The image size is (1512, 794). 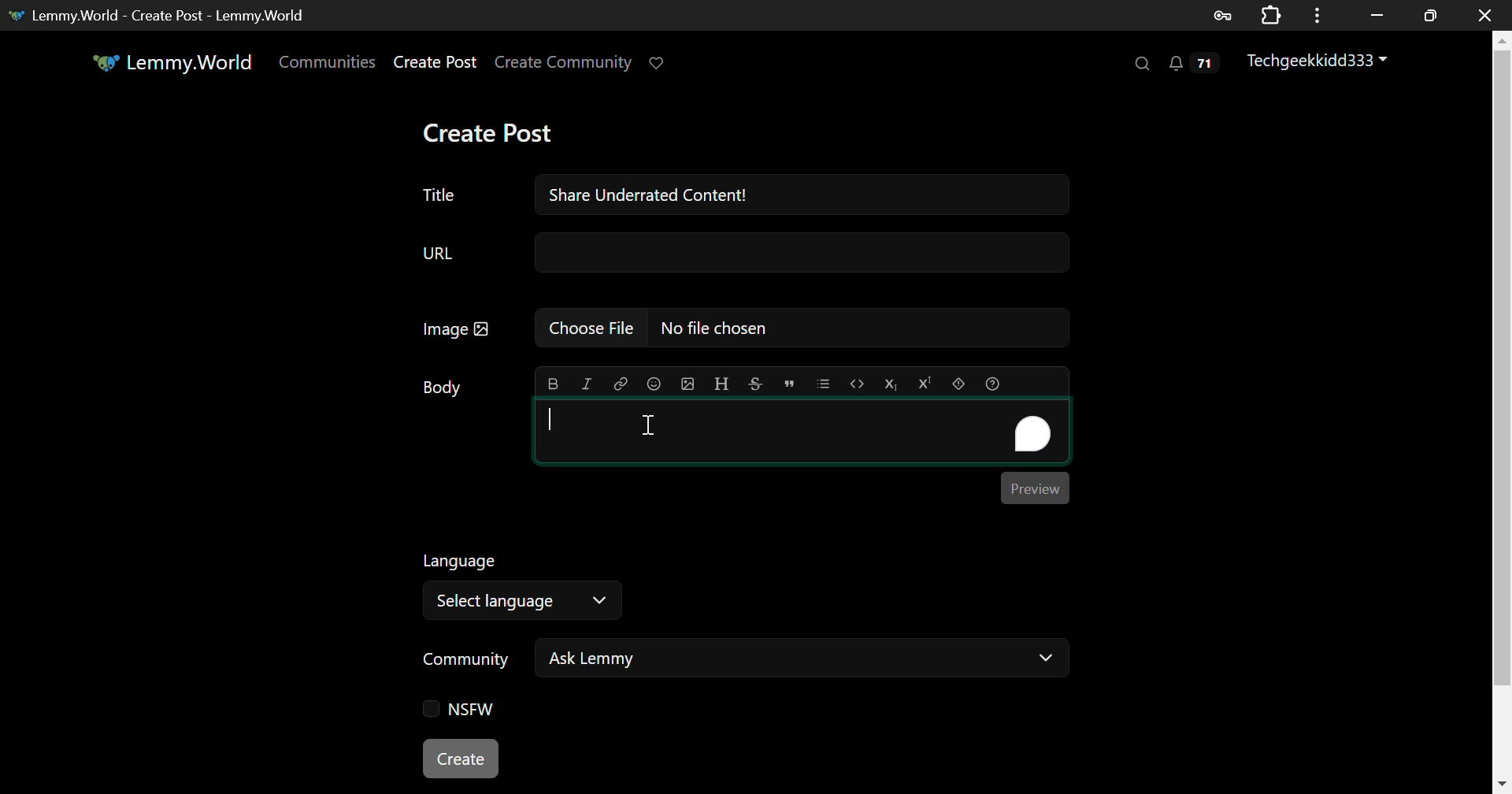 I want to click on List, so click(x=823, y=384).